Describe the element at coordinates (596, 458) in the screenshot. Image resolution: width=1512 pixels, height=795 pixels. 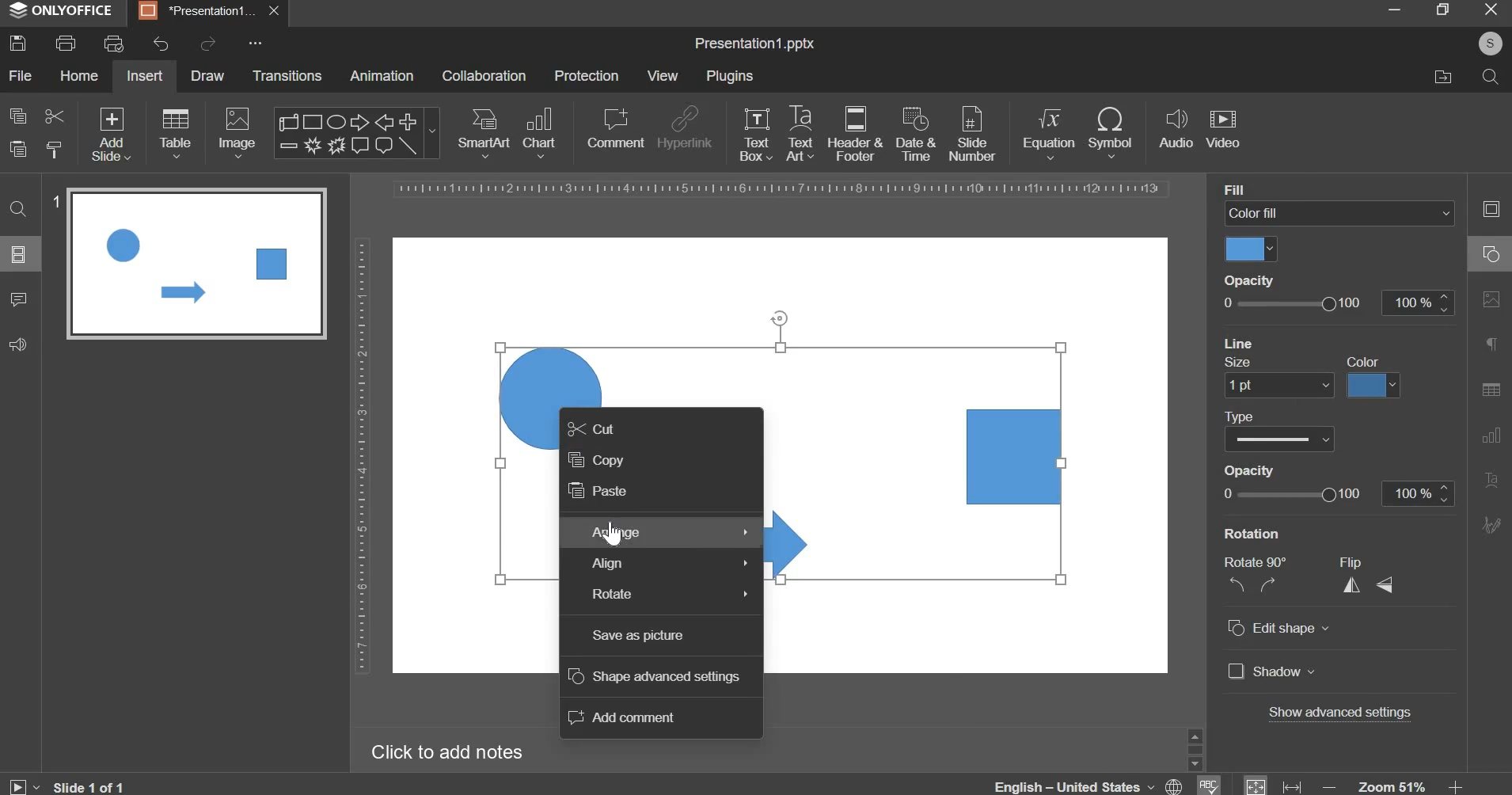
I see `copy` at that location.